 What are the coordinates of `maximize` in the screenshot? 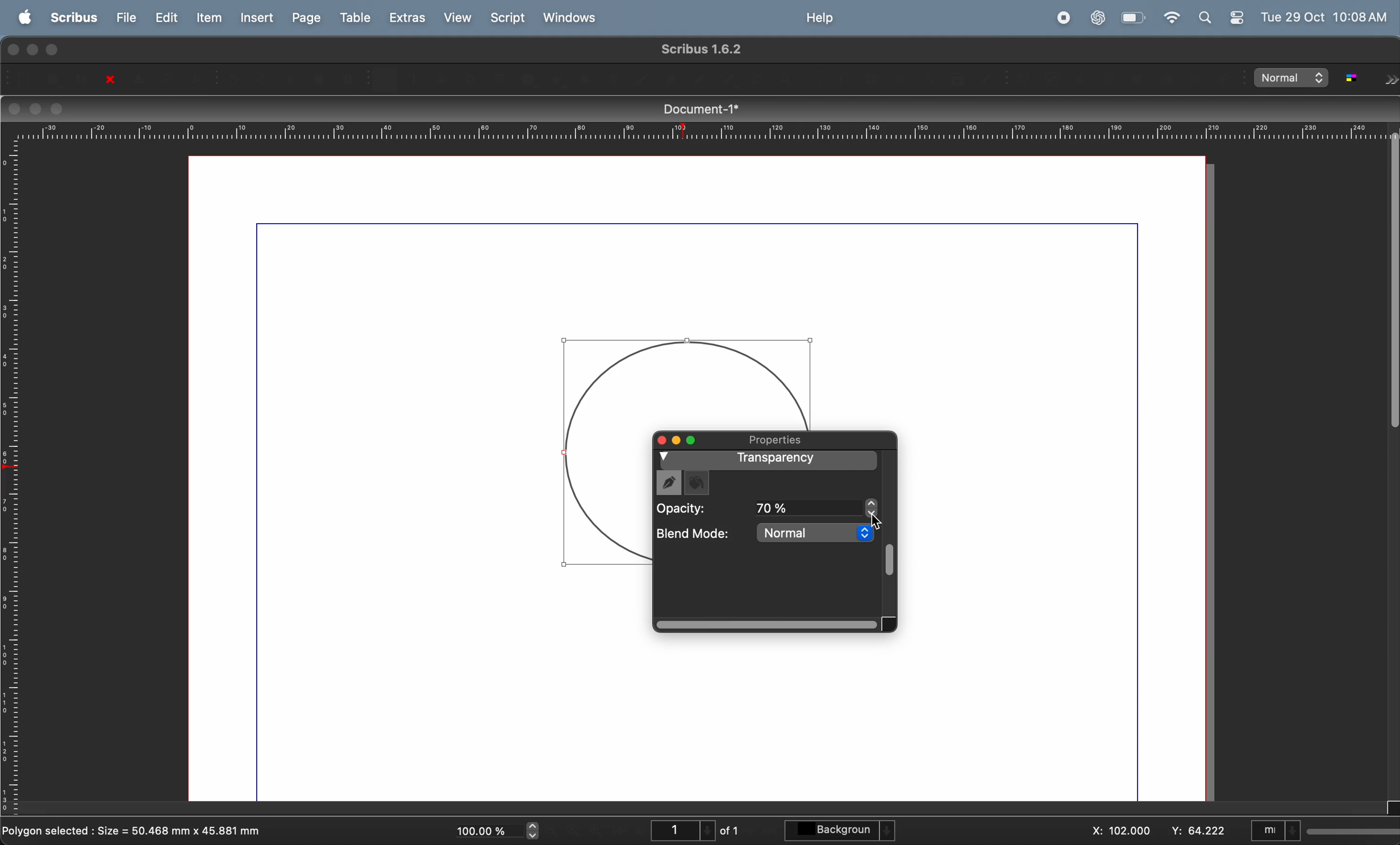 It's located at (58, 108).